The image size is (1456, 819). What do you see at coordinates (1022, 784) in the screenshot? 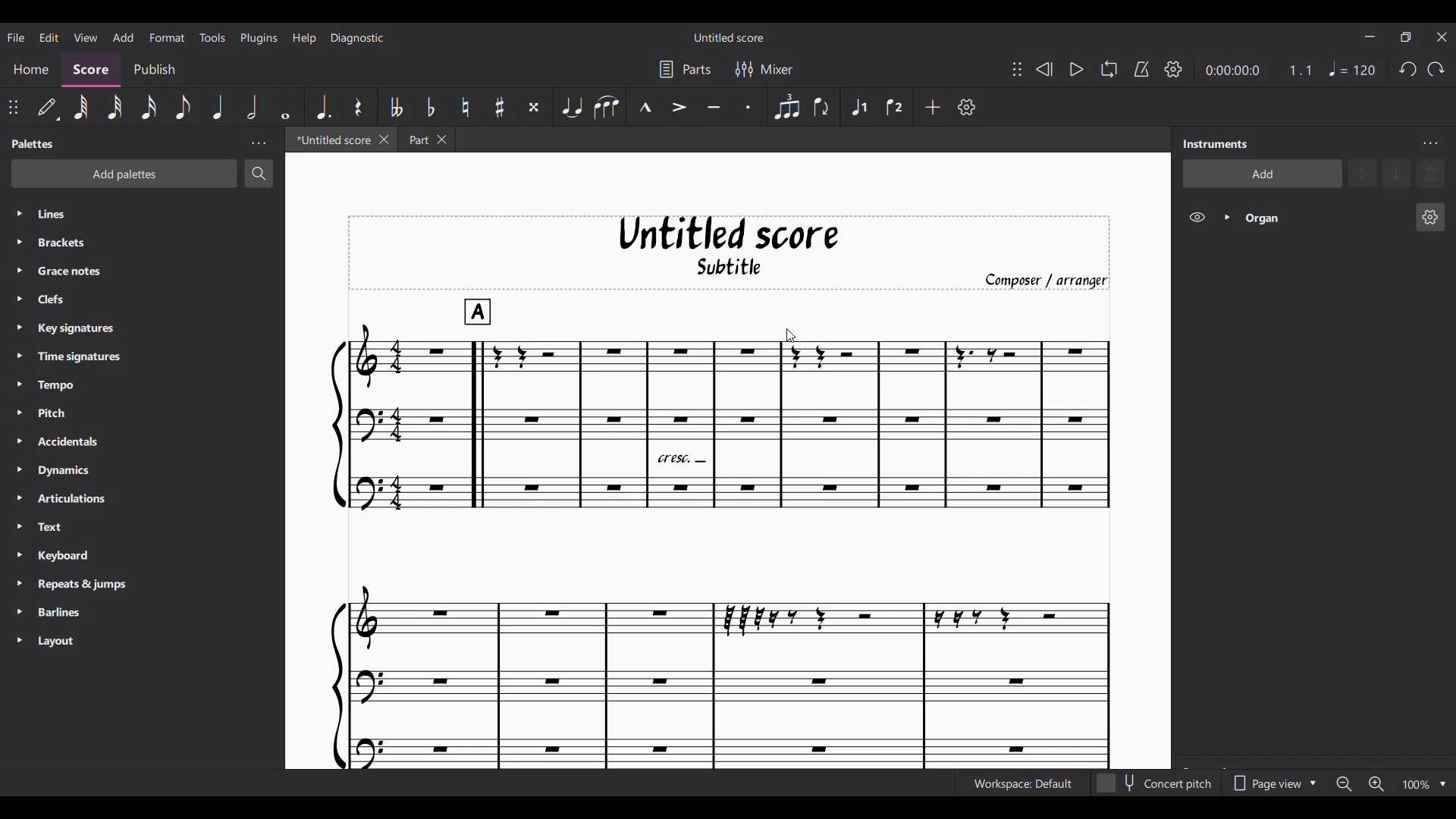
I see `Current workspace setting` at bounding box center [1022, 784].